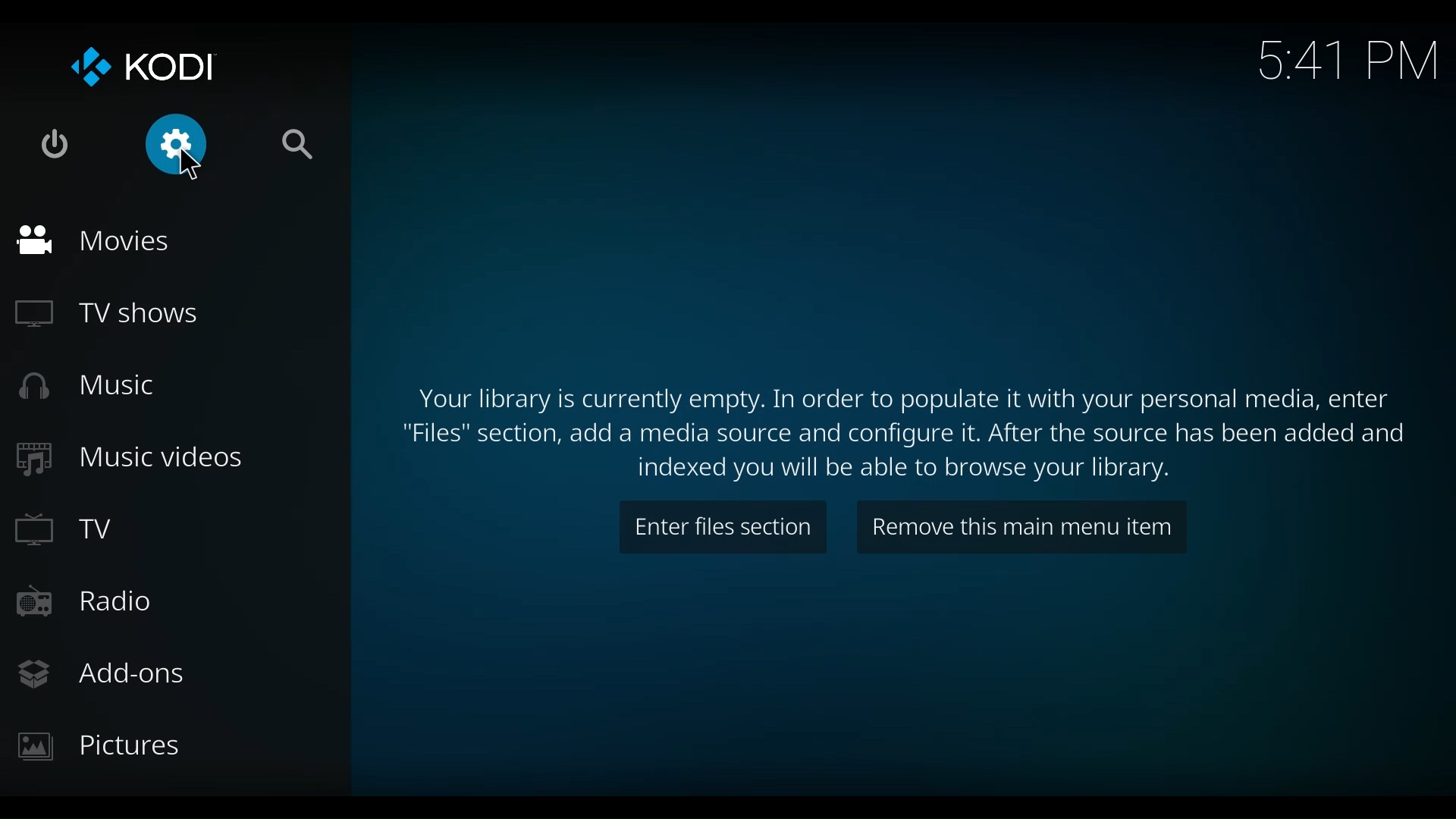  I want to click on Remove this main memu item, so click(1022, 529).